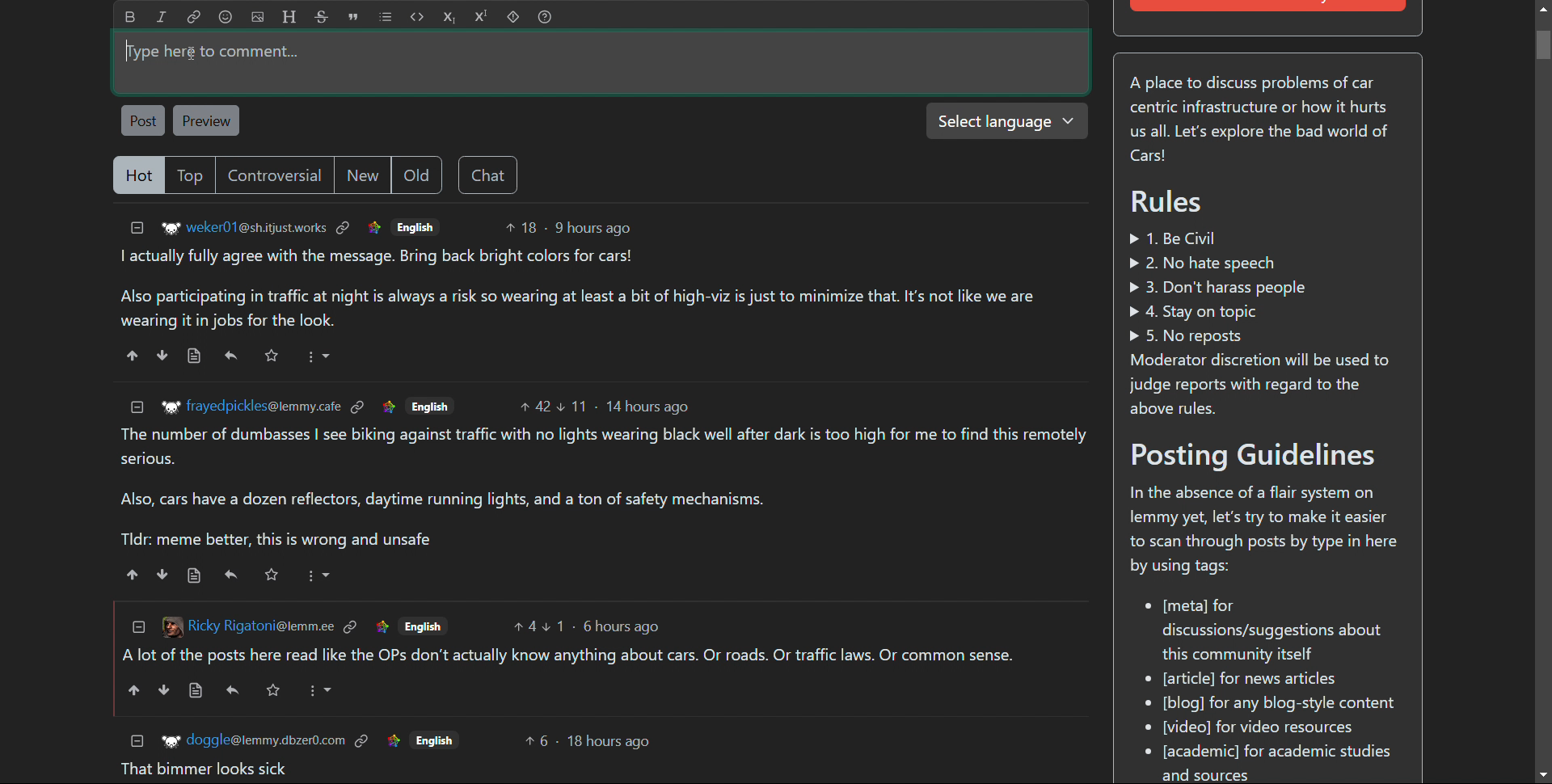 The image size is (1552, 784). Describe the element at coordinates (363, 739) in the screenshot. I see `link` at that location.